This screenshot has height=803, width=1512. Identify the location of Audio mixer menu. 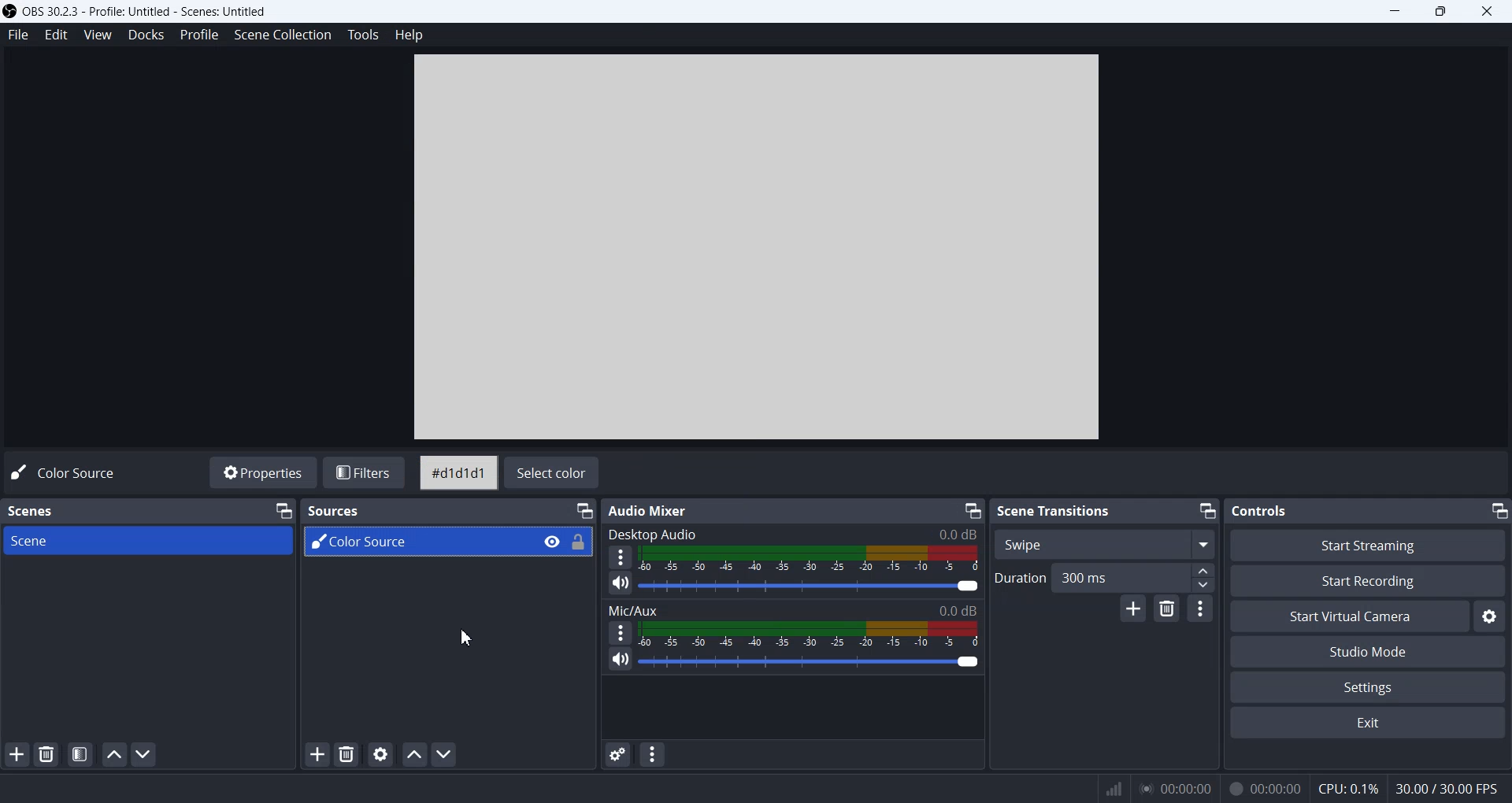
(654, 754).